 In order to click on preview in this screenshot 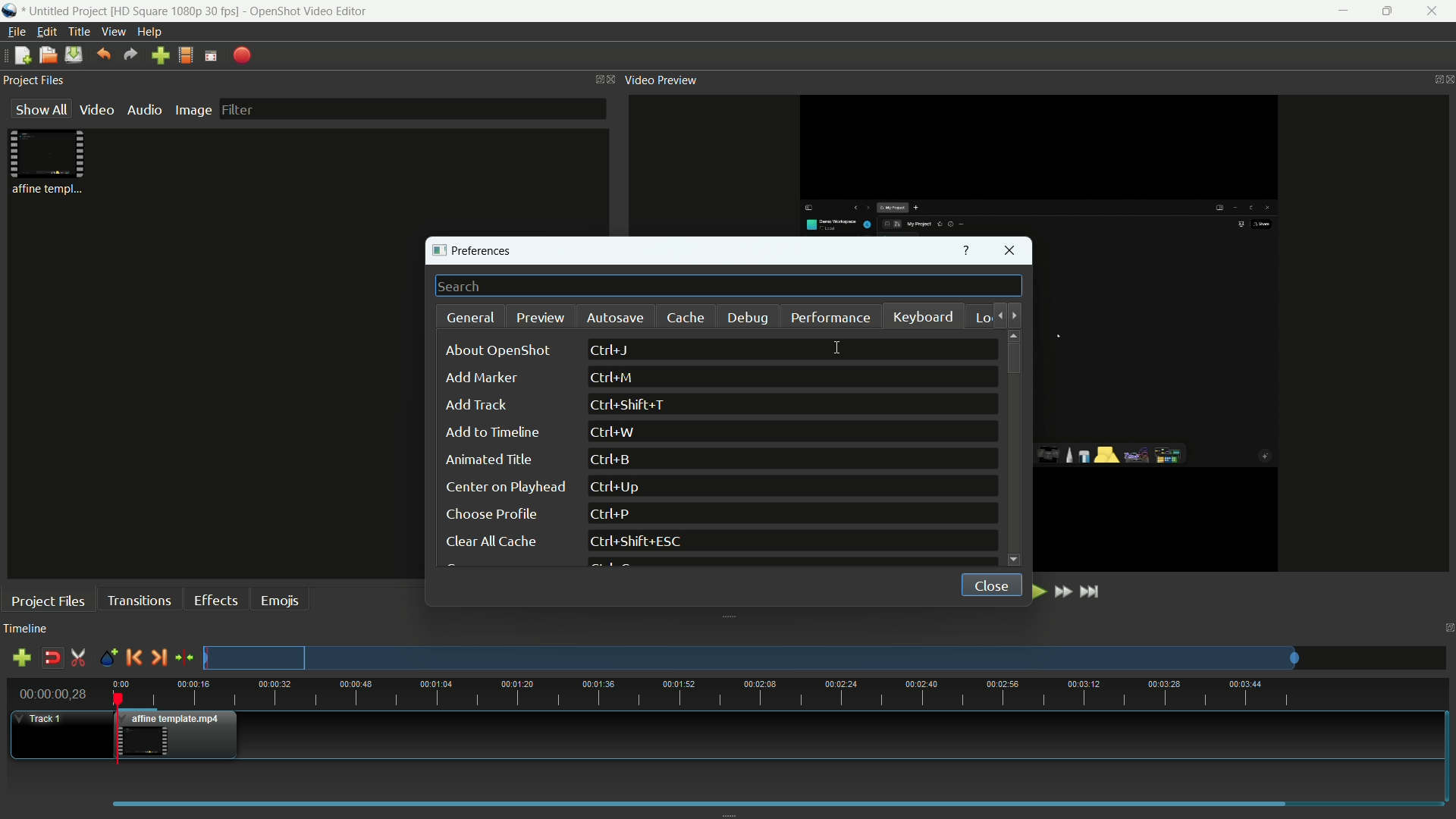, I will do `click(541, 317)`.